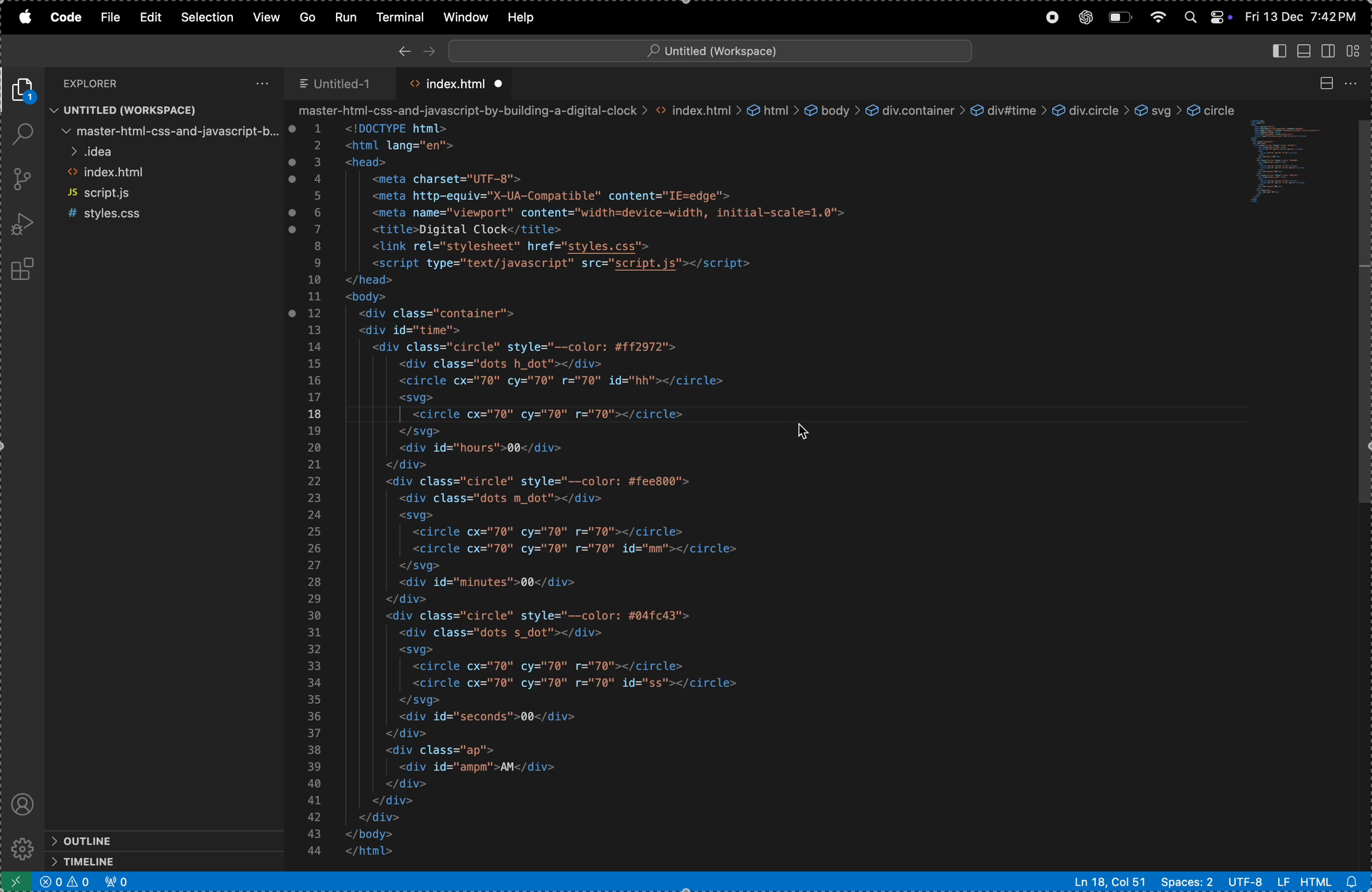  I want to click on window, so click(465, 16).